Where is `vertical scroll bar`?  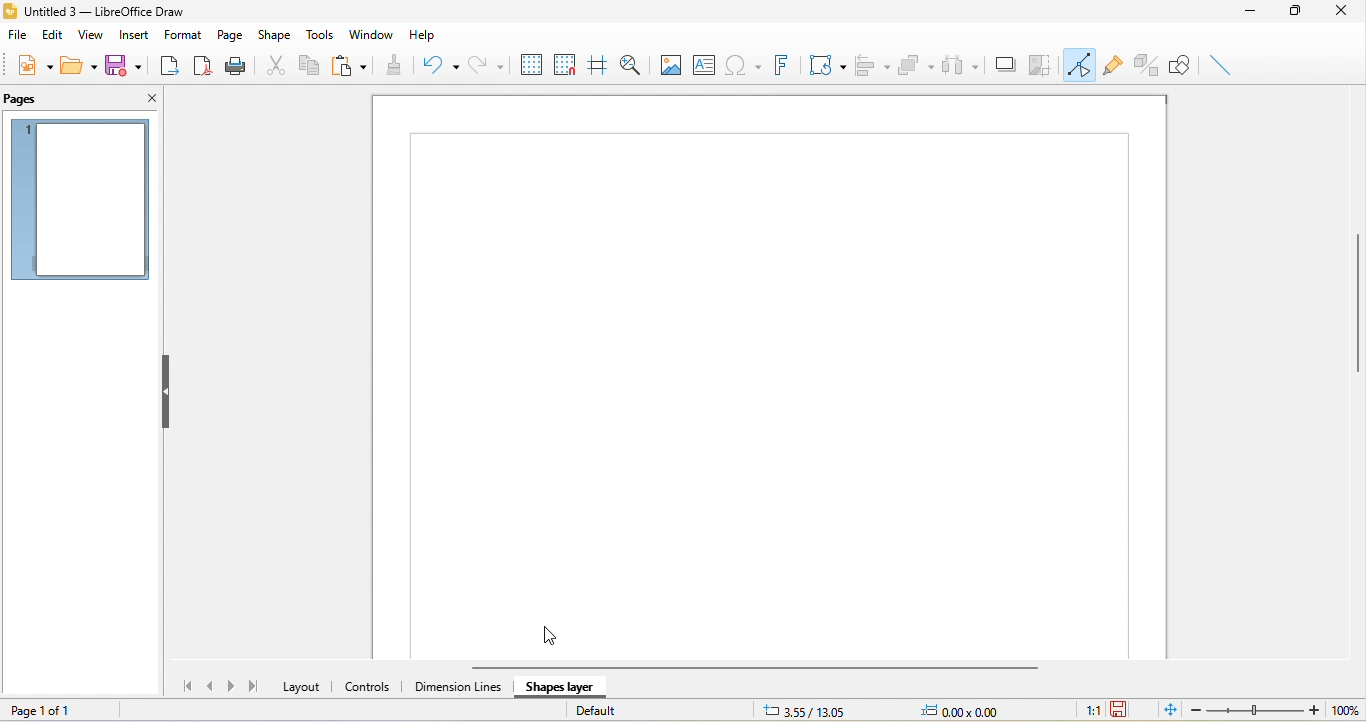
vertical scroll bar is located at coordinates (1353, 302).